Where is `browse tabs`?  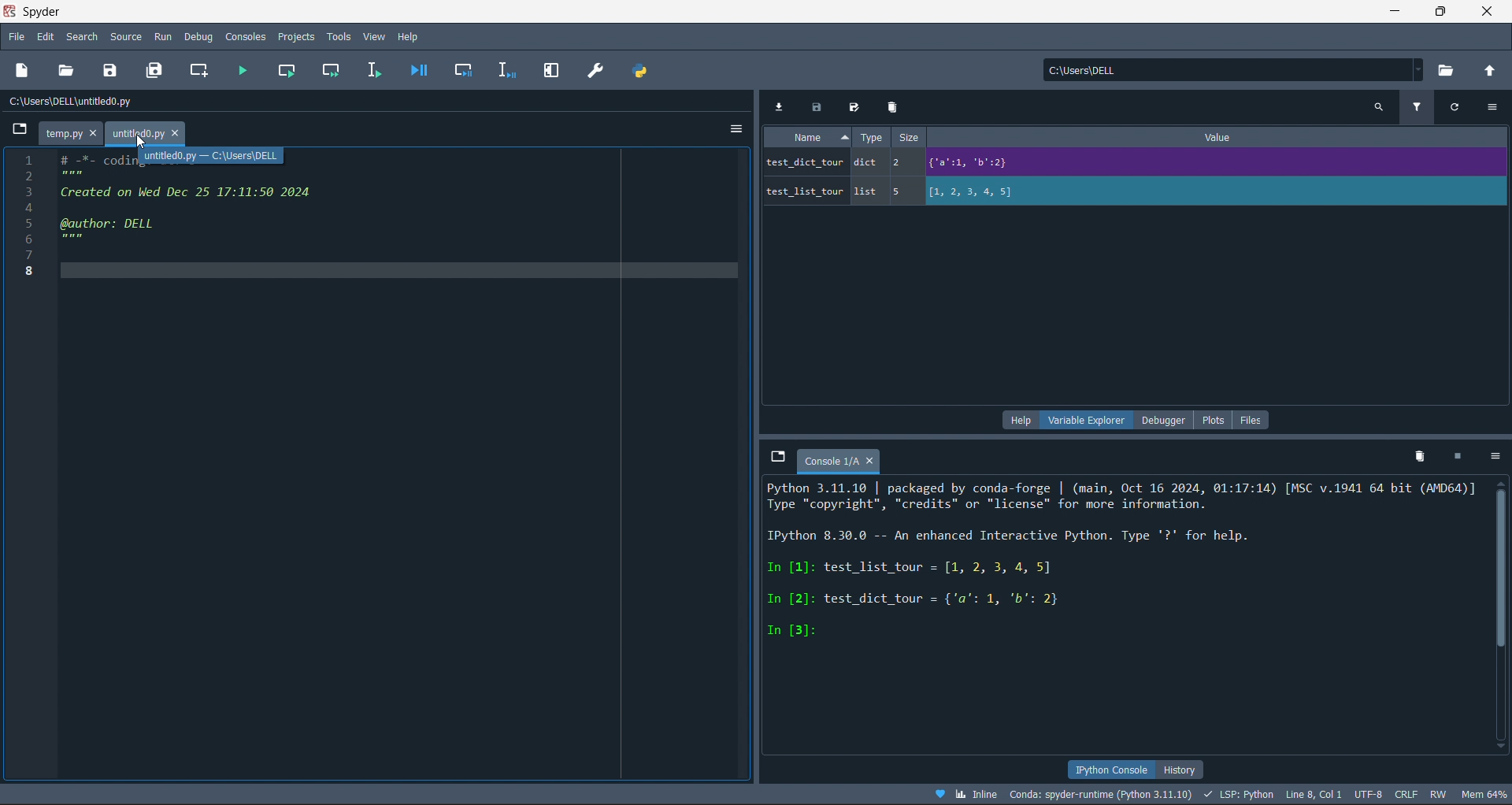 browse tabs is located at coordinates (17, 132).